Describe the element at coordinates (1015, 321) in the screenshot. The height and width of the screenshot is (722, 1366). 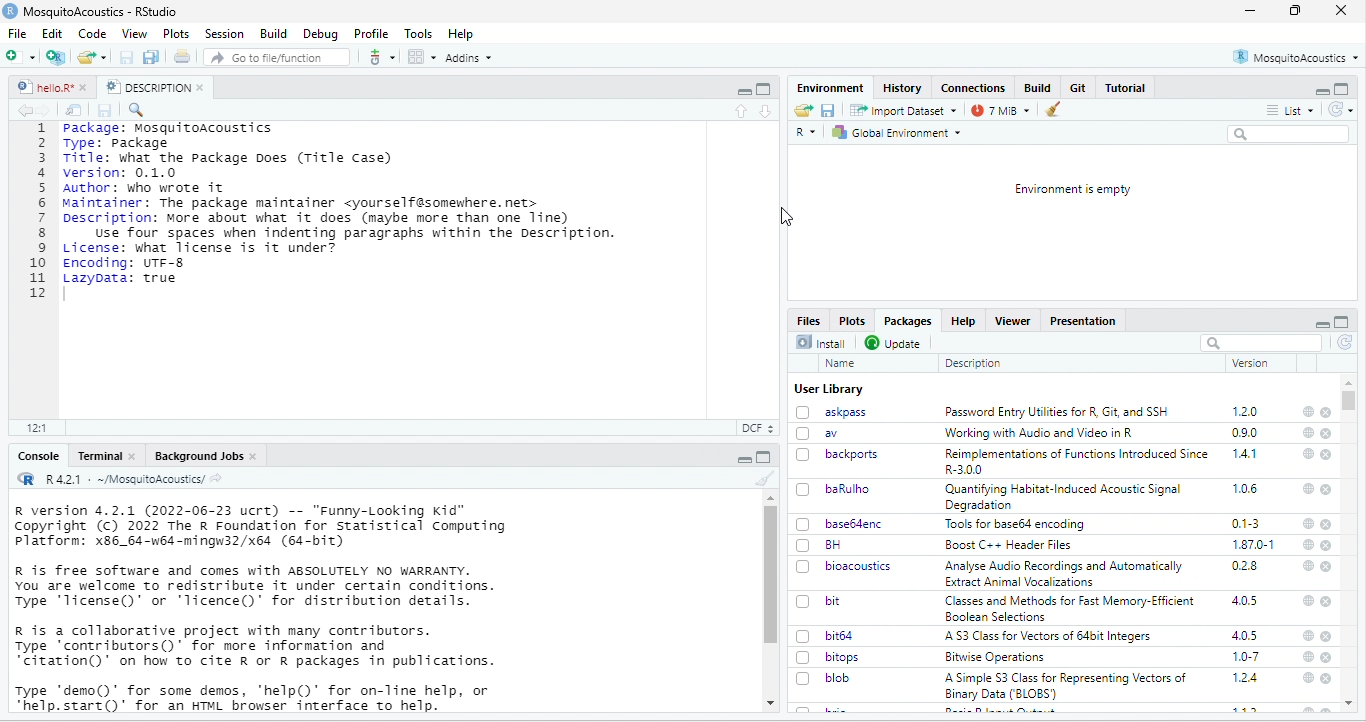
I see `Viewer` at that location.